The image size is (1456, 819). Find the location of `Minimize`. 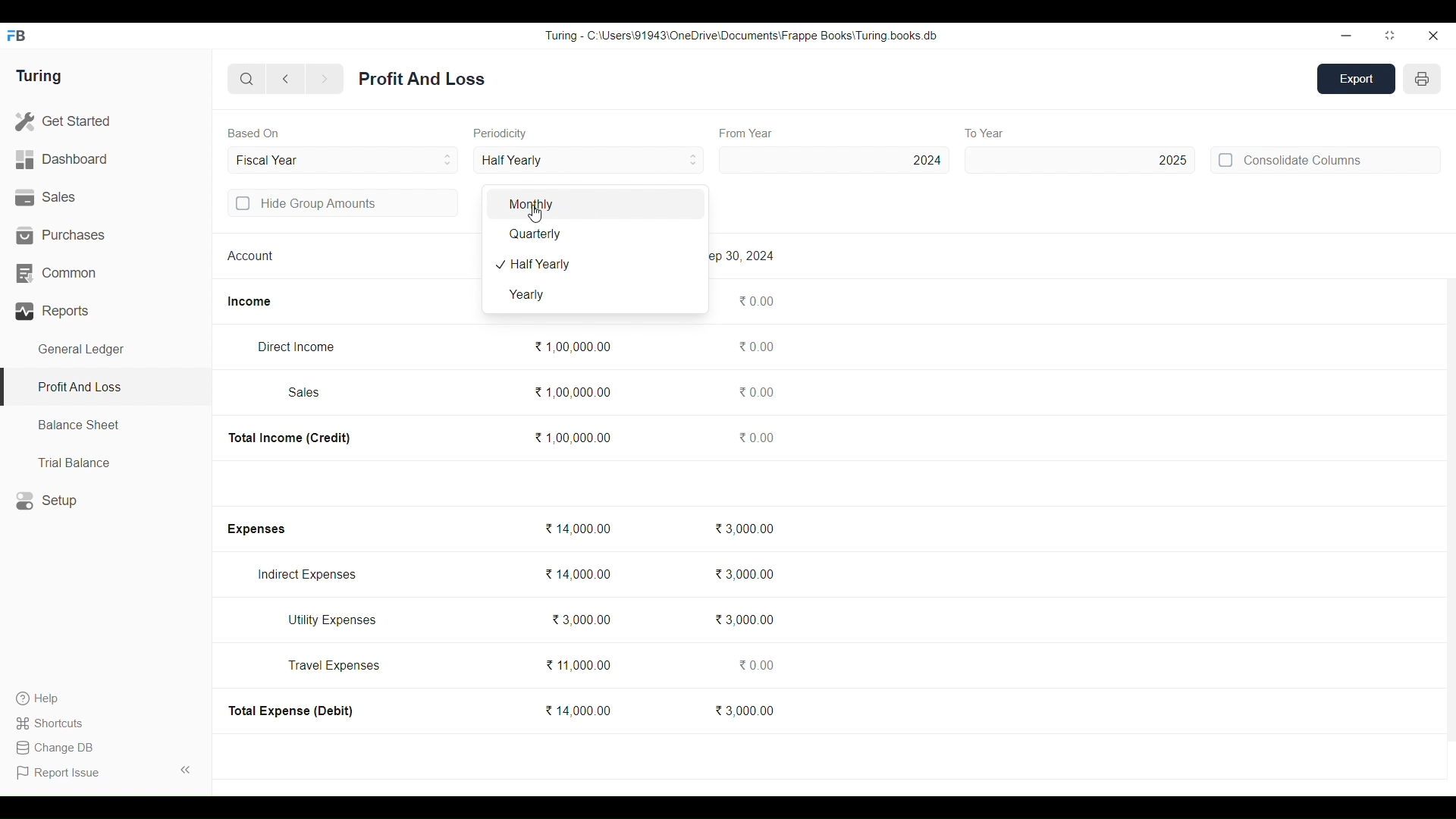

Minimize is located at coordinates (1346, 36).